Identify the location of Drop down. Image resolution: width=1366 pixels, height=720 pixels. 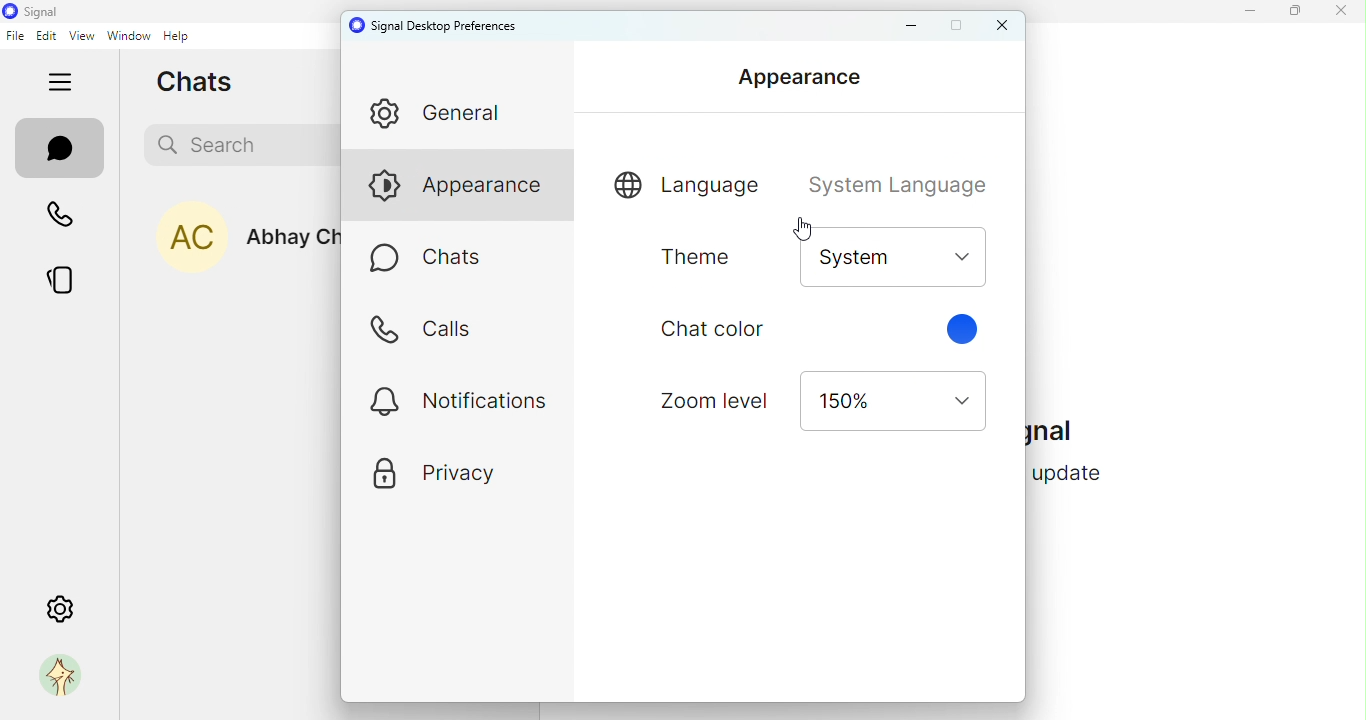
(900, 260).